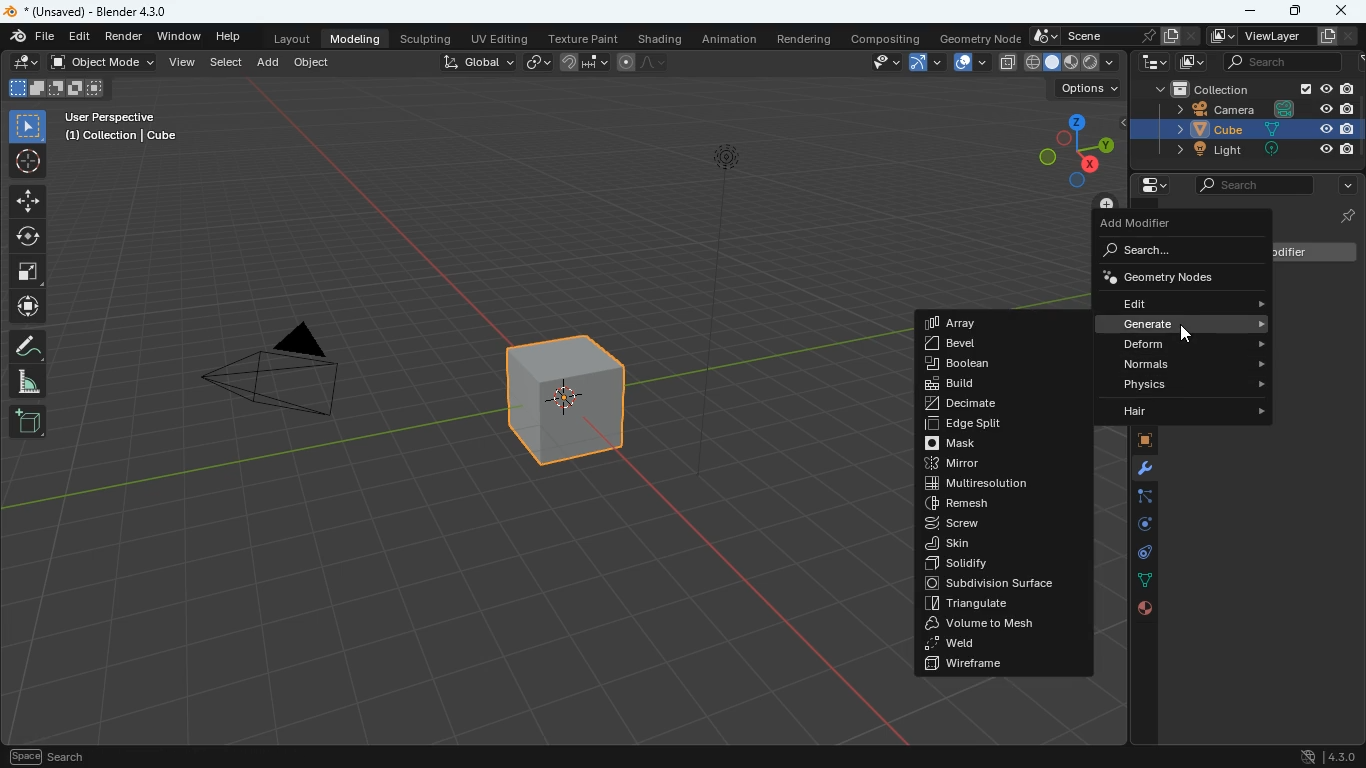 This screenshot has width=1366, height=768. Describe the element at coordinates (1001, 444) in the screenshot. I see `mask` at that location.